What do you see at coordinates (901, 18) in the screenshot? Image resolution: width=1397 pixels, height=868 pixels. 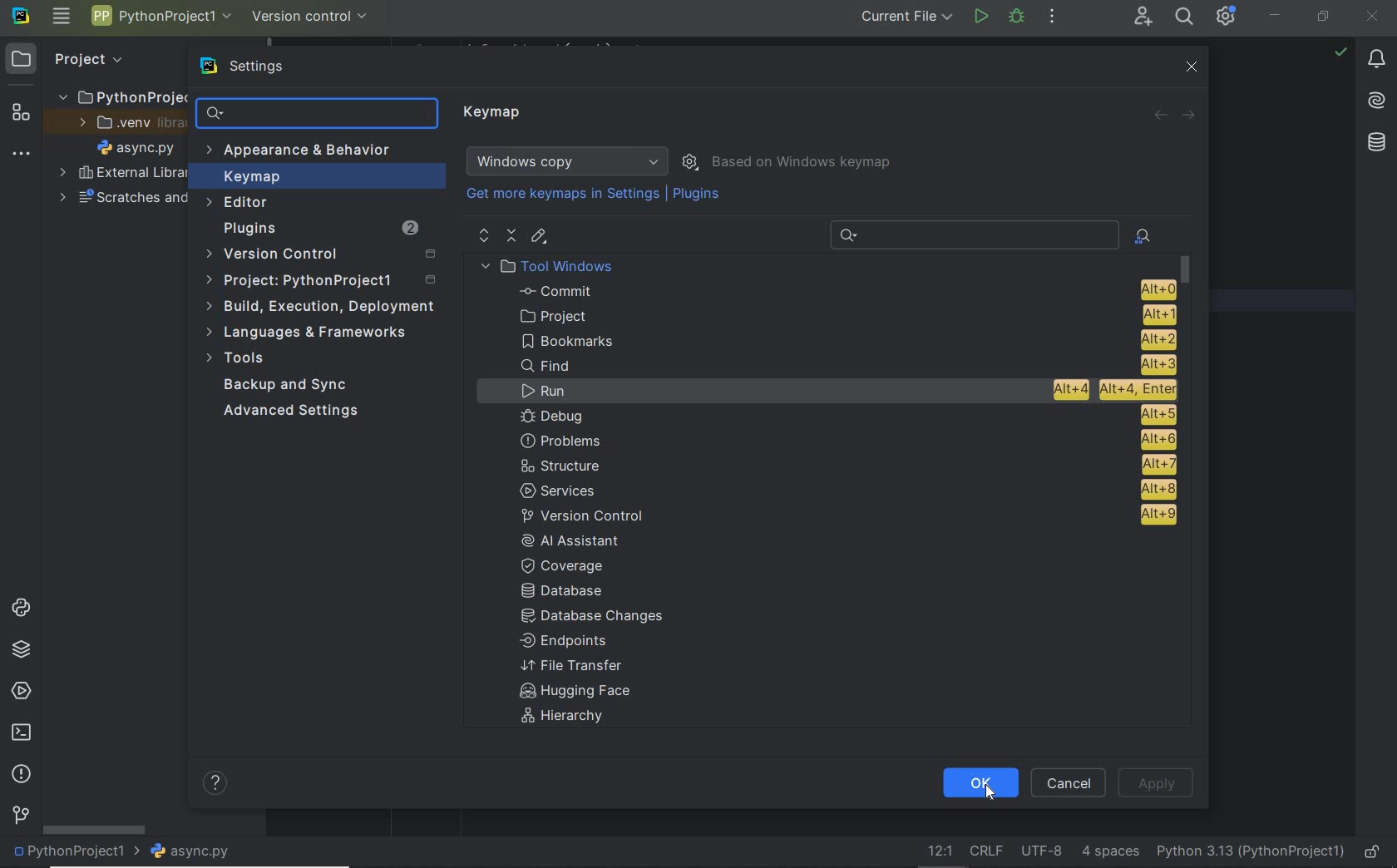 I see `current file` at bounding box center [901, 18].